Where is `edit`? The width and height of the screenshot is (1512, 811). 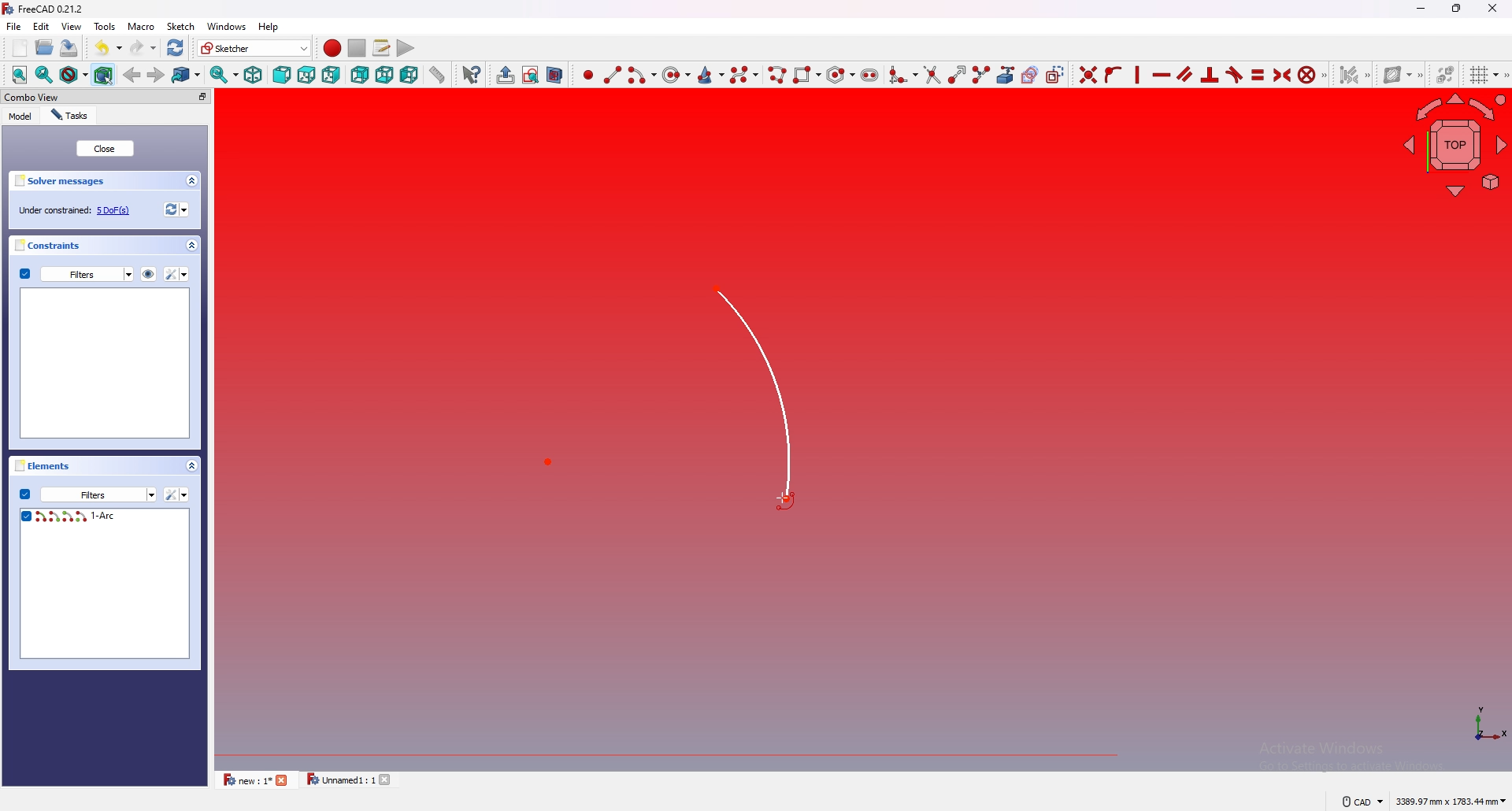
edit is located at coordinates (44, 26).